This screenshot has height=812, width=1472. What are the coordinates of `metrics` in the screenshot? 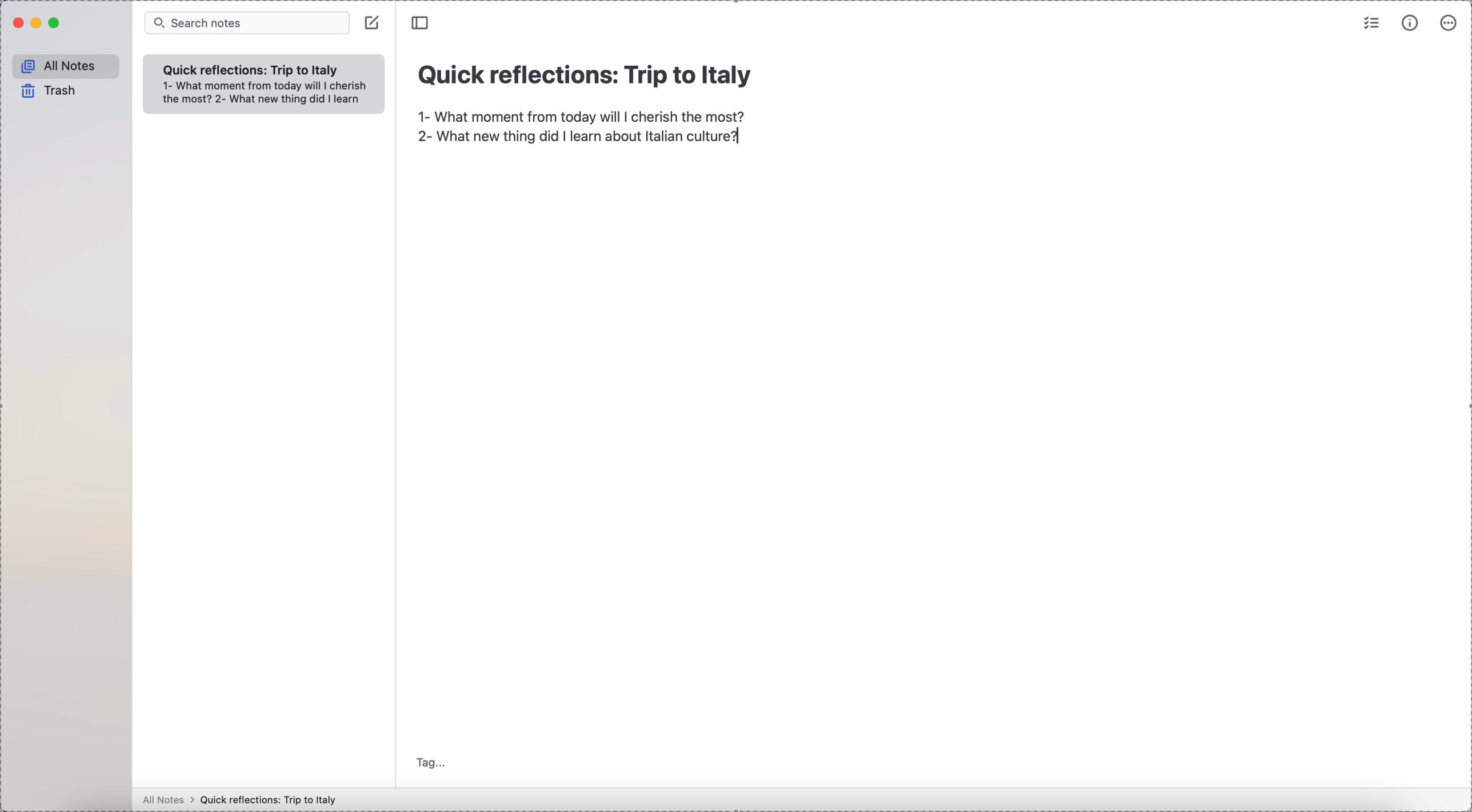 It's located at (1411, 22).